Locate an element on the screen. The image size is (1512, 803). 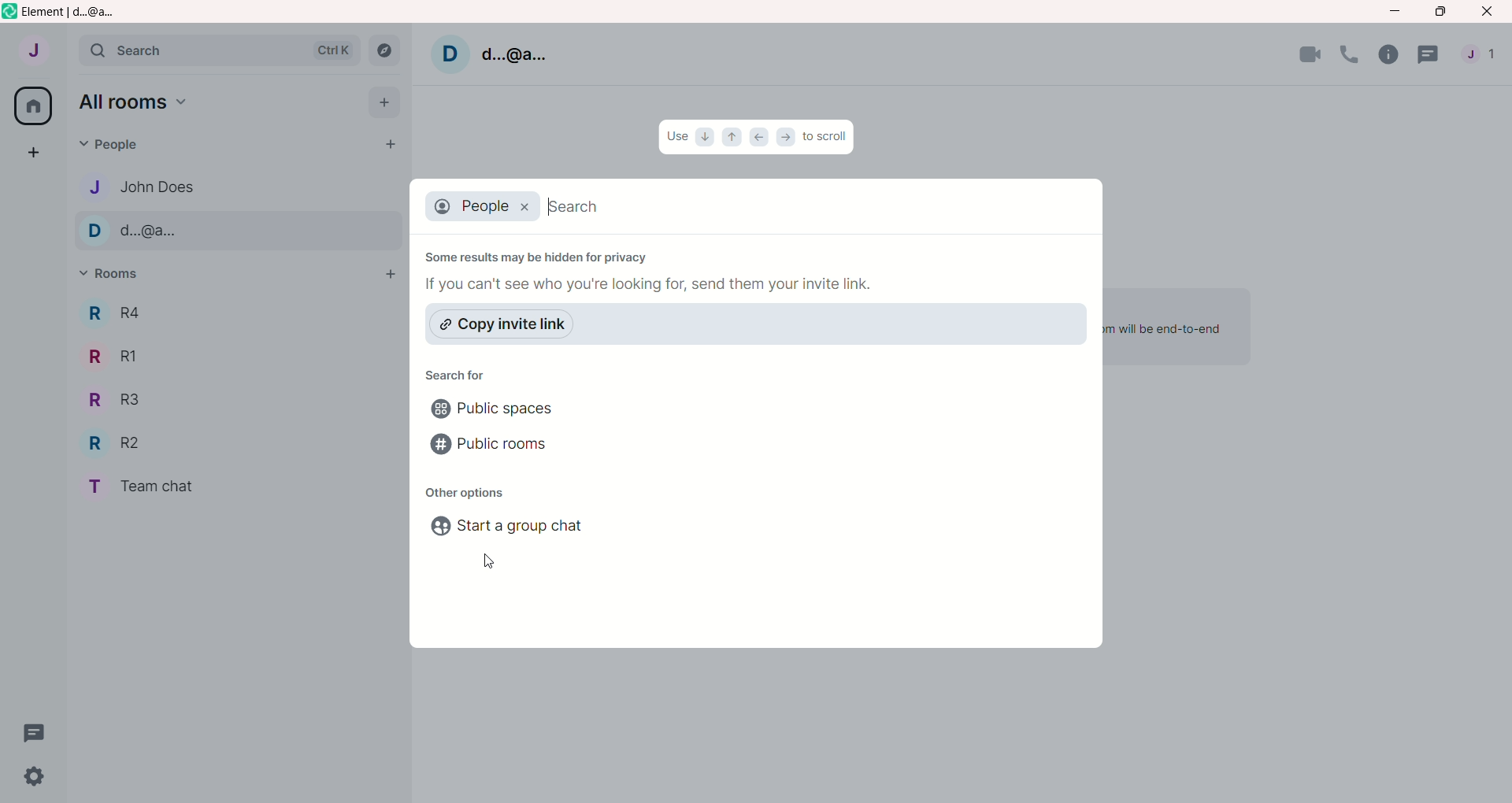
people is located at coordinates (1484, 58).